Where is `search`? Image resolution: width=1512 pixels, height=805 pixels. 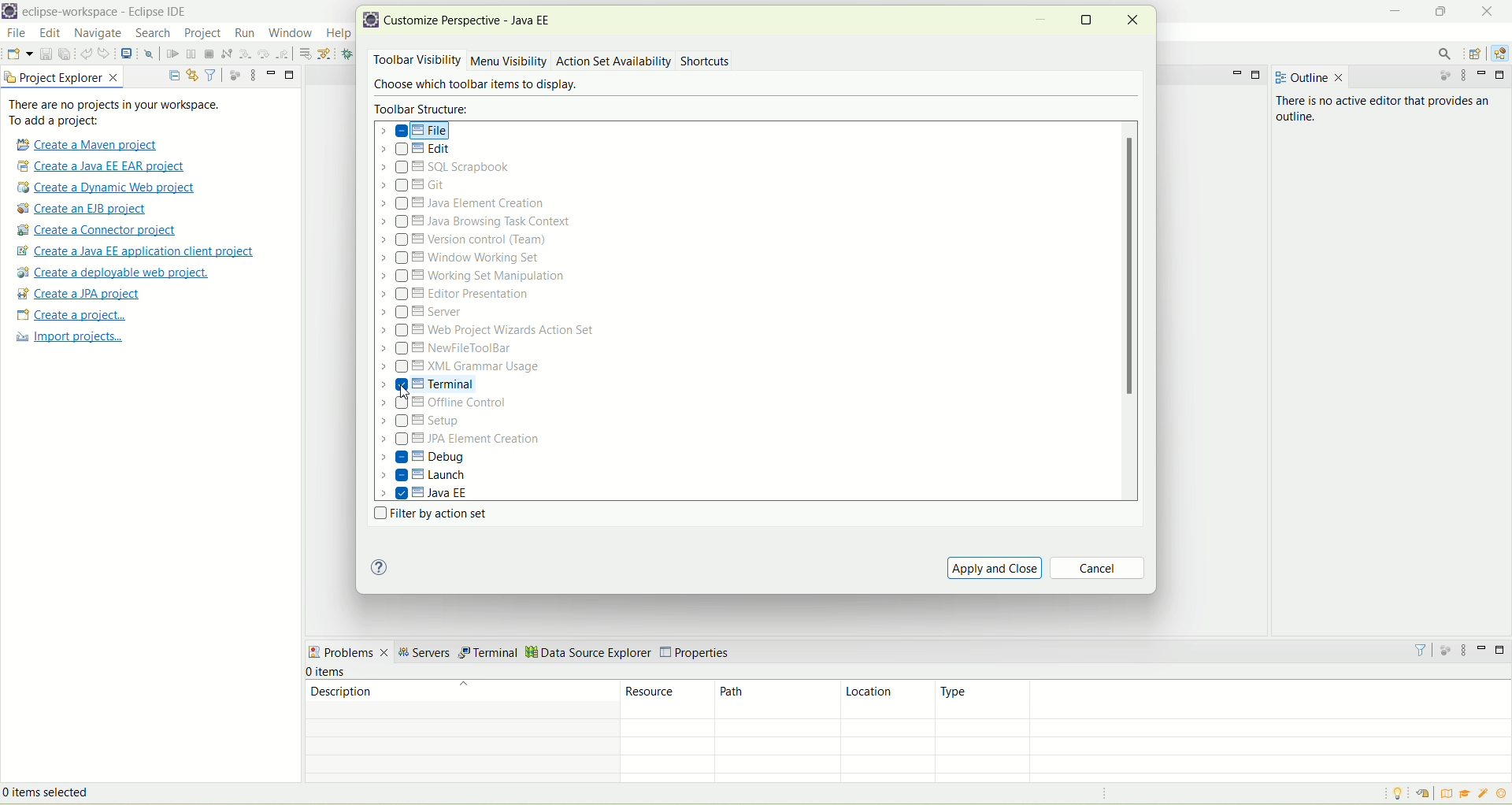 search is located at coordinates (150, 34).